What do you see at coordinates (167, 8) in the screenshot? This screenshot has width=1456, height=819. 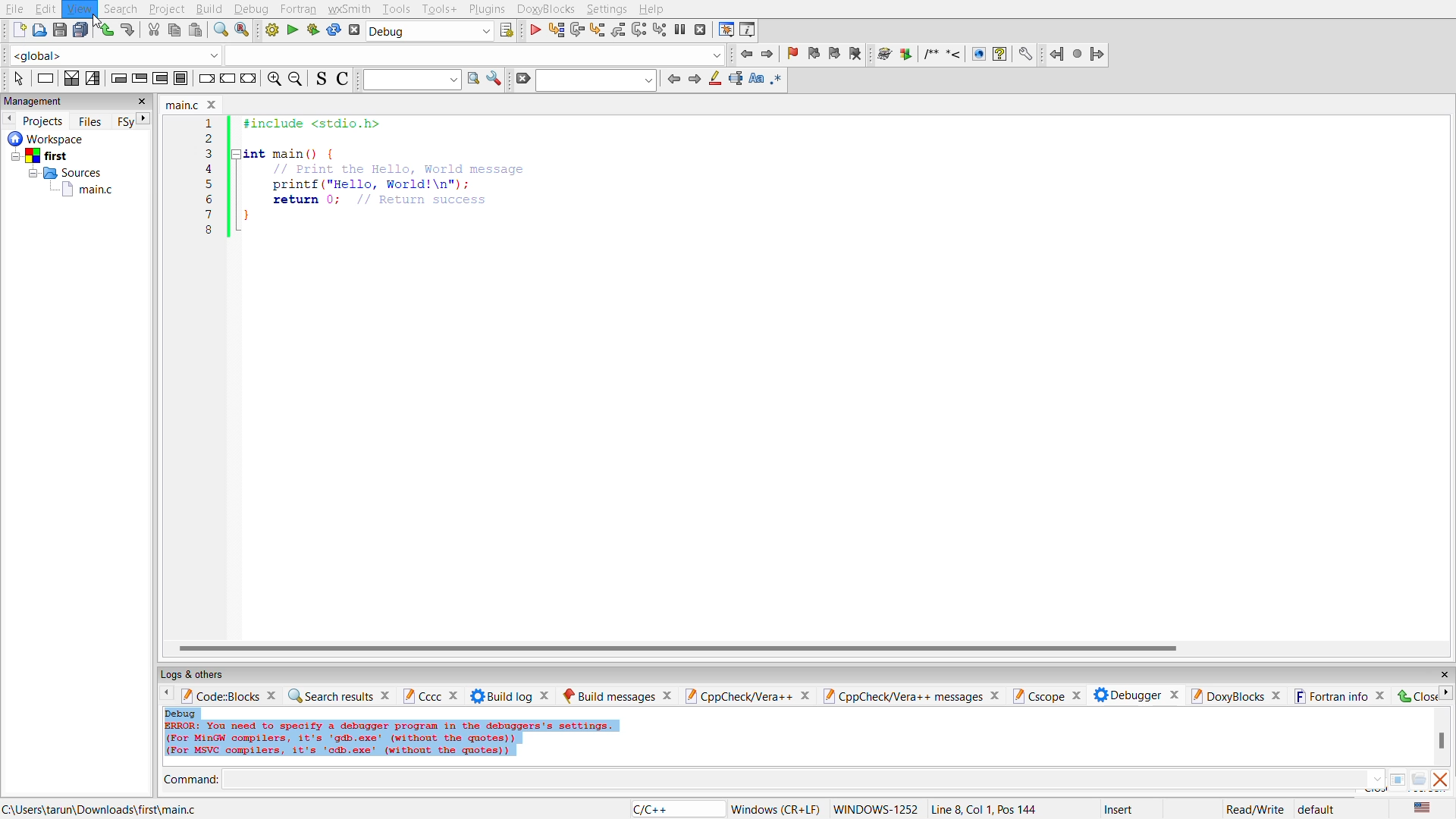 I see `project` at bounding box center [167, 8].